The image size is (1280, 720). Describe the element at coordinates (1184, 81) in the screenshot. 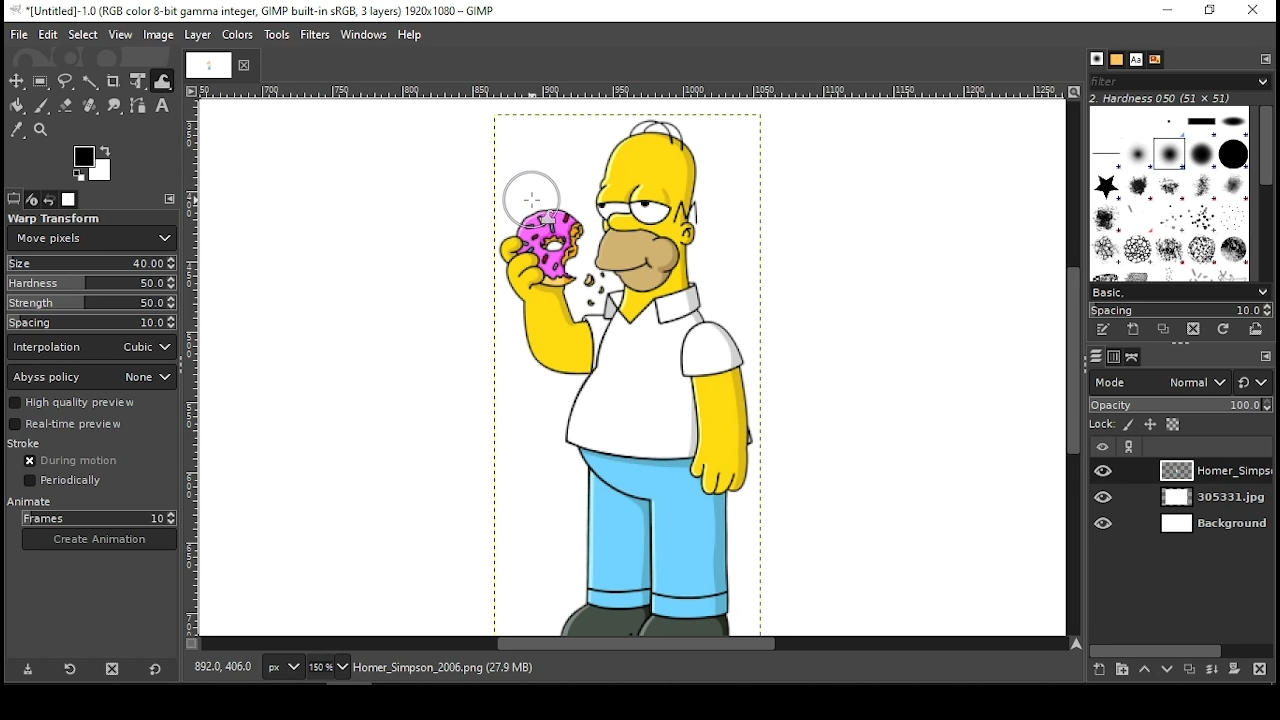

I see `filter` at that location.